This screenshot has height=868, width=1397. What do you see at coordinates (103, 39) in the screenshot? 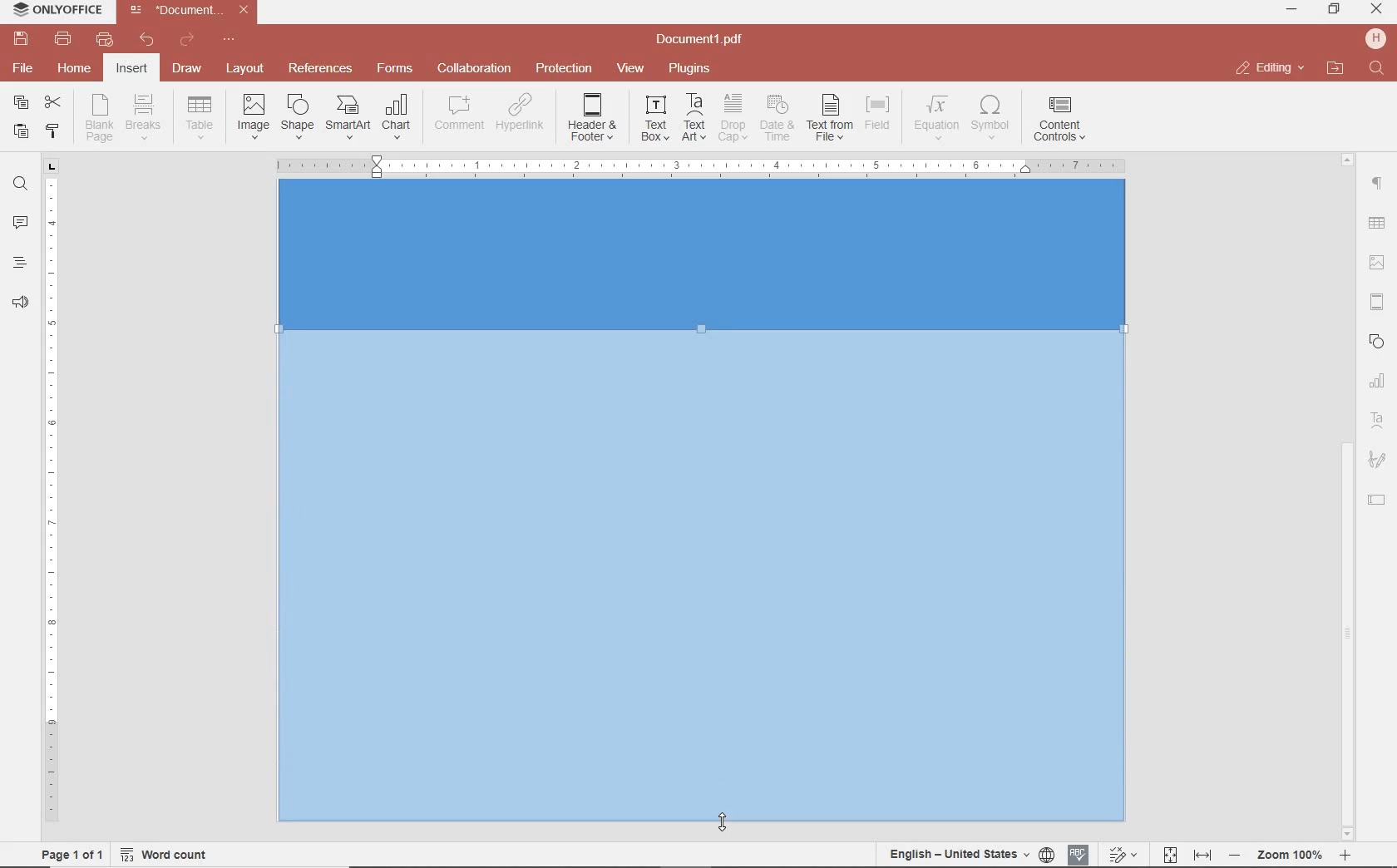
I see `quick print` at bounding box center [103, 39].